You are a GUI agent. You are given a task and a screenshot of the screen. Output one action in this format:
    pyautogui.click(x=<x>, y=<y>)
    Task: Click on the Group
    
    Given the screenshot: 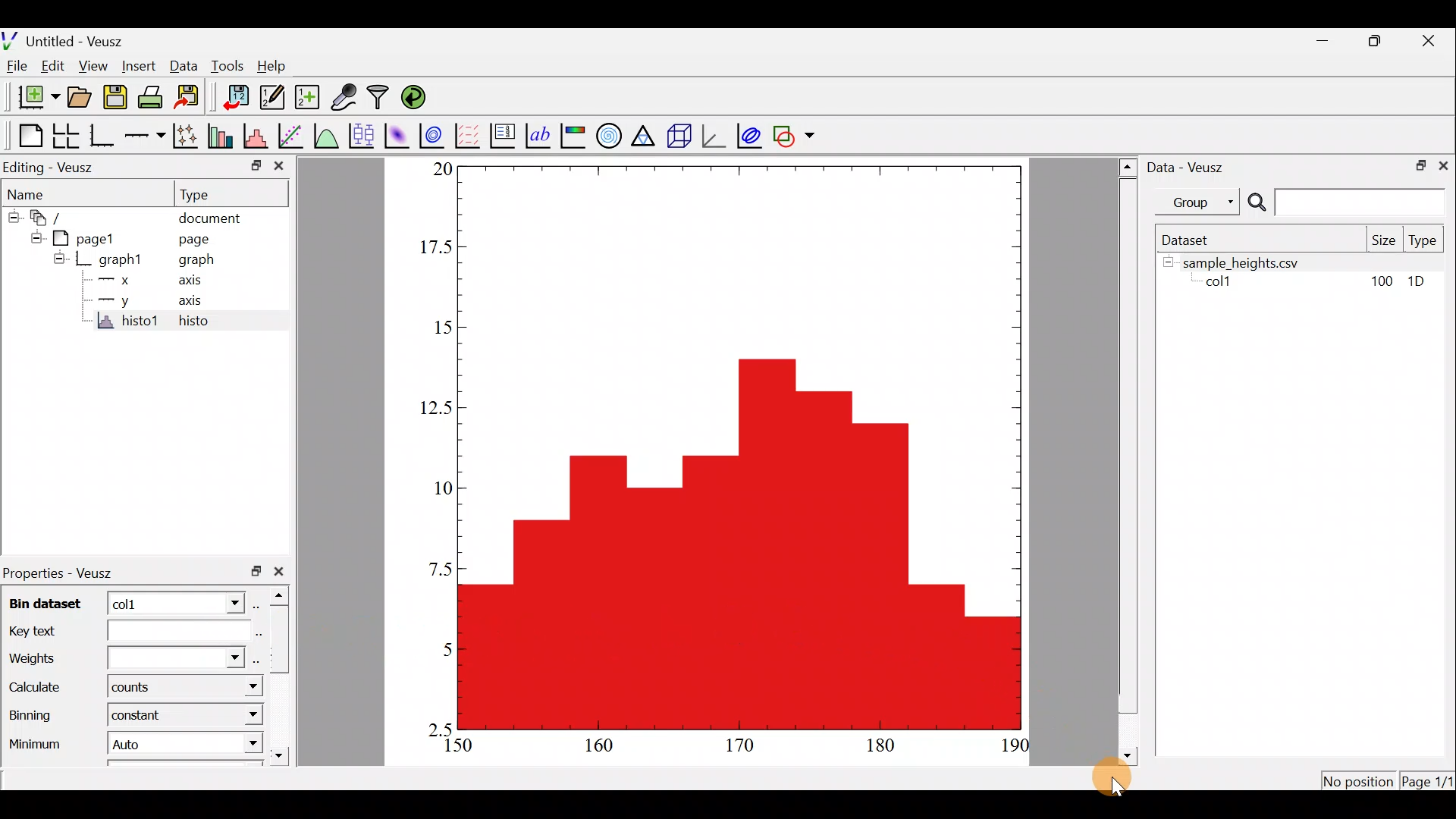 What is the action you would take?
    pyautogui.click(x=1201, y=202)
    